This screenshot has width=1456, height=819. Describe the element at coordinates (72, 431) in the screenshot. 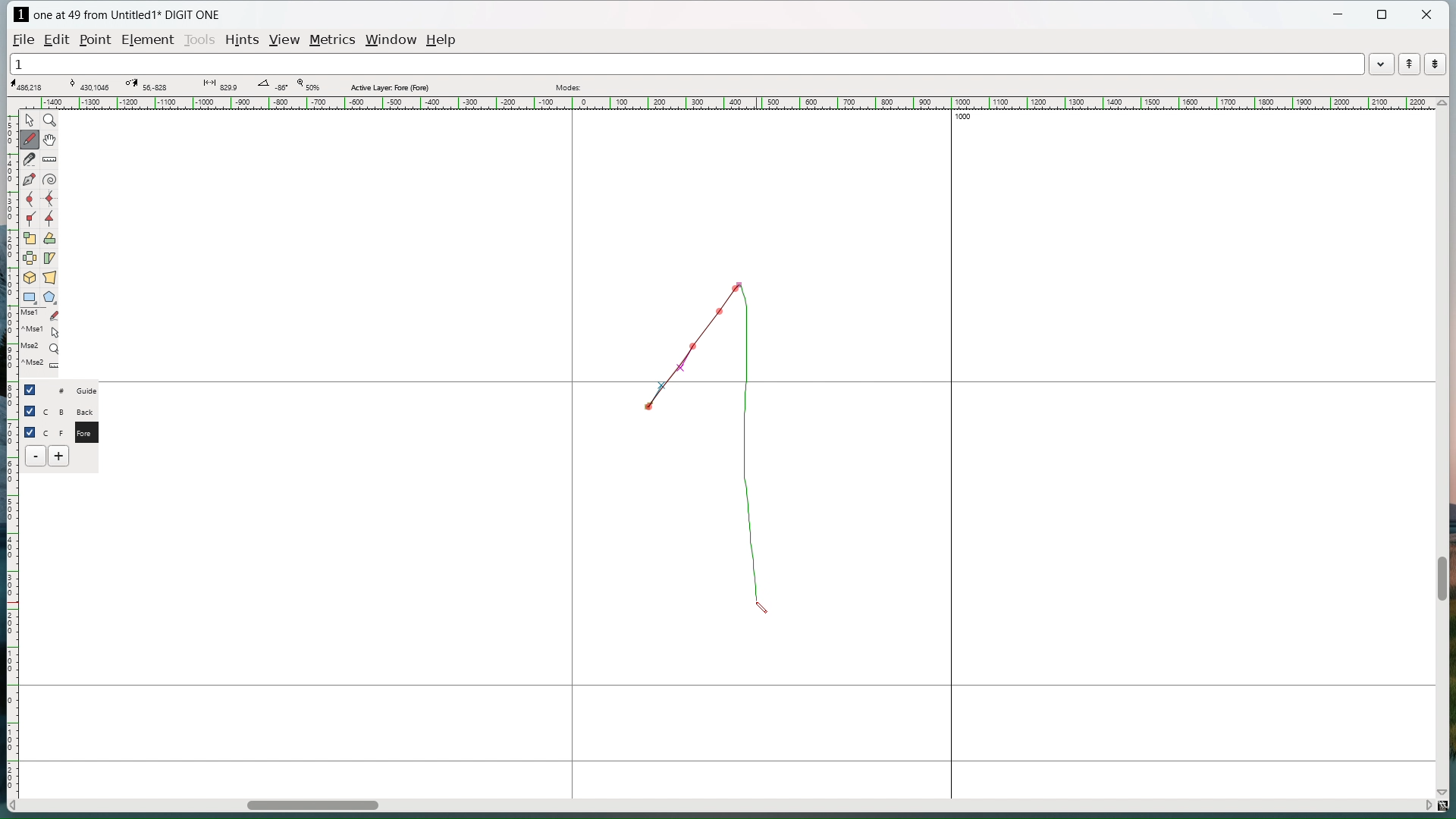

I see `C F Fore` at that location.